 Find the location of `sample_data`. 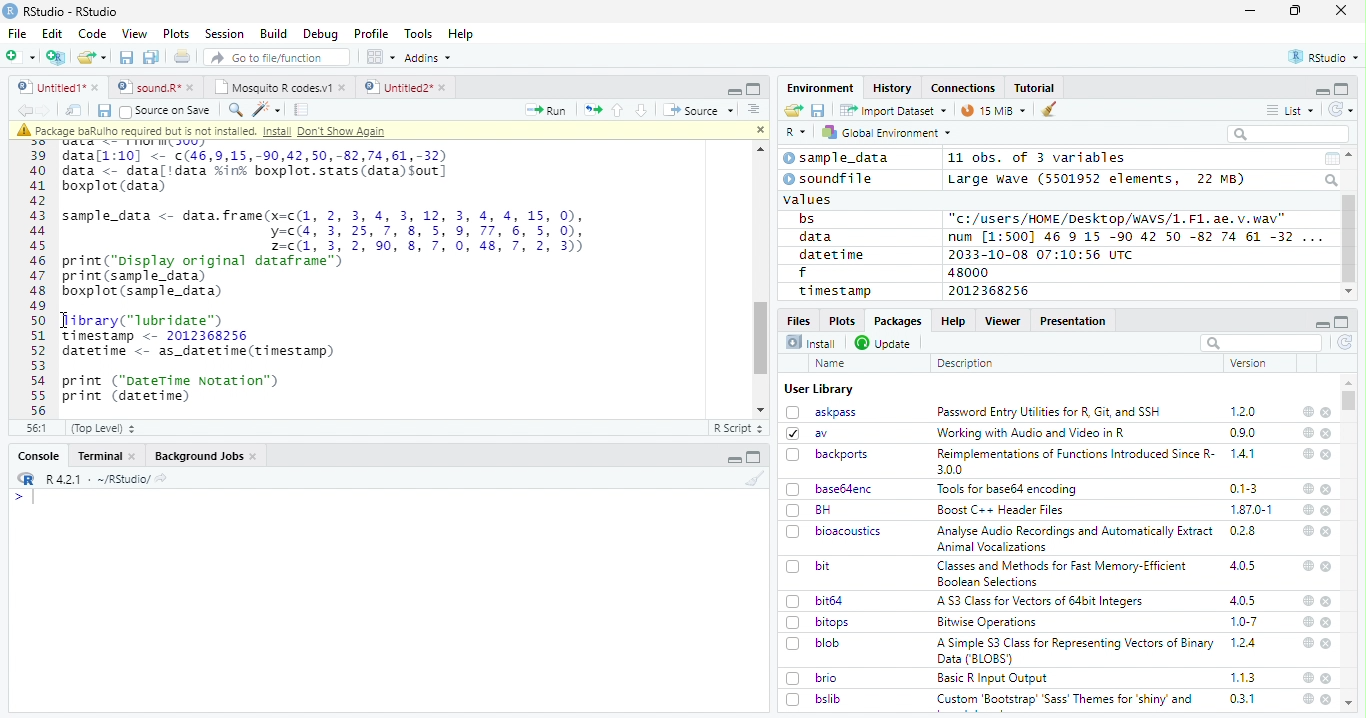

sample_data is located at coordinates (839, 158).